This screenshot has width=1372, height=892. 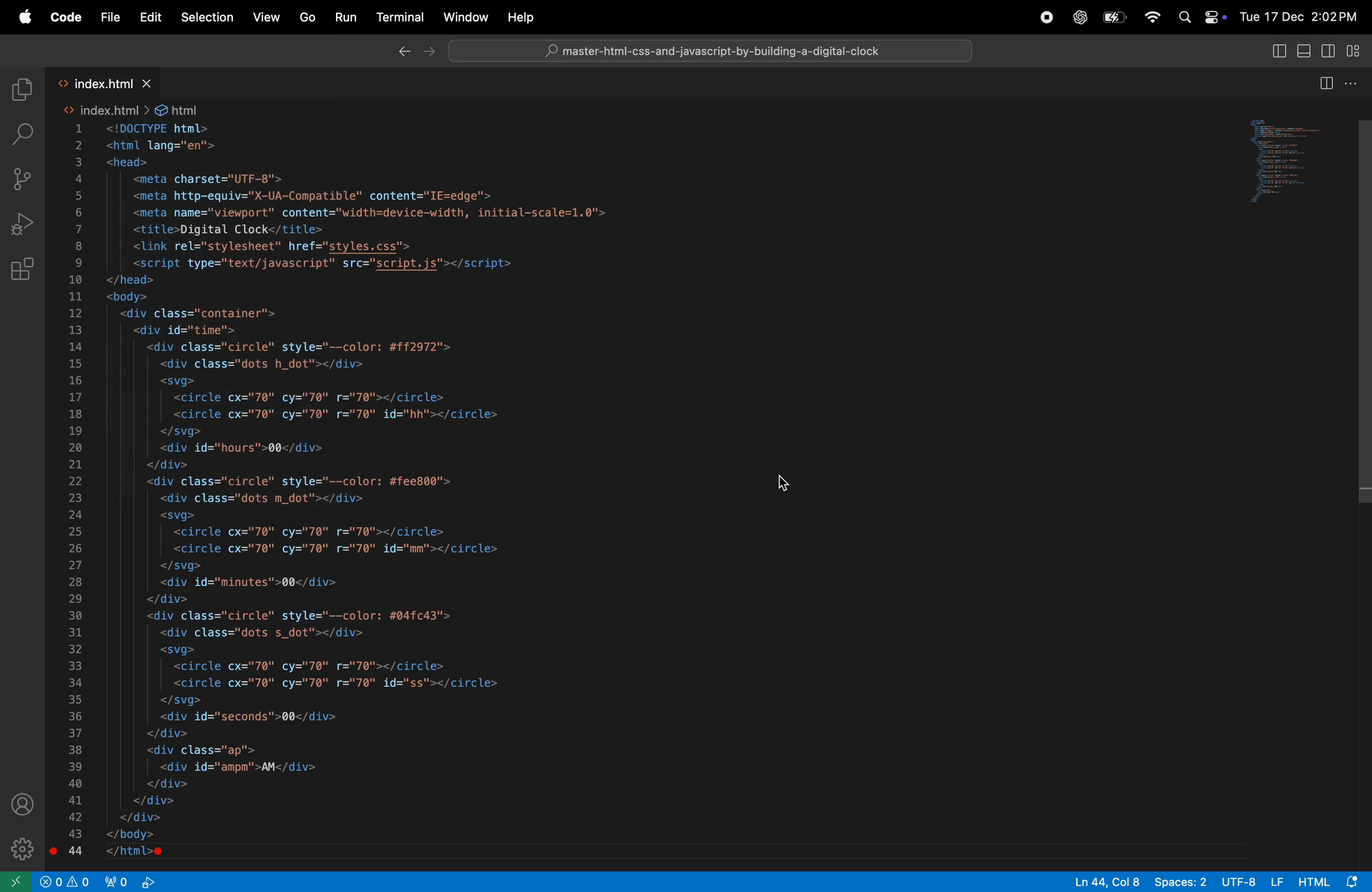 I want to click on close, so click(x=428, y=53).